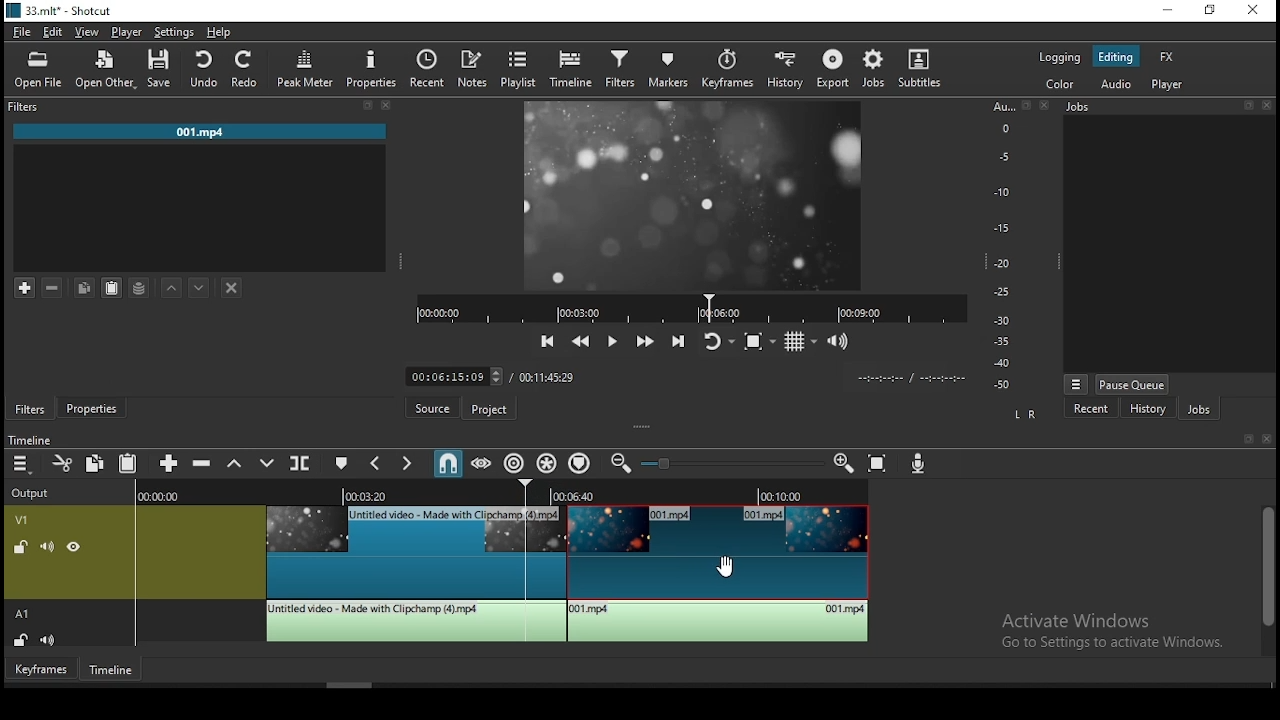 The image size is (1280, 720). What do you see at coordinates (547, 338) in the screenshot?
I see `skip to previous point` at bounding box center [547, 338].